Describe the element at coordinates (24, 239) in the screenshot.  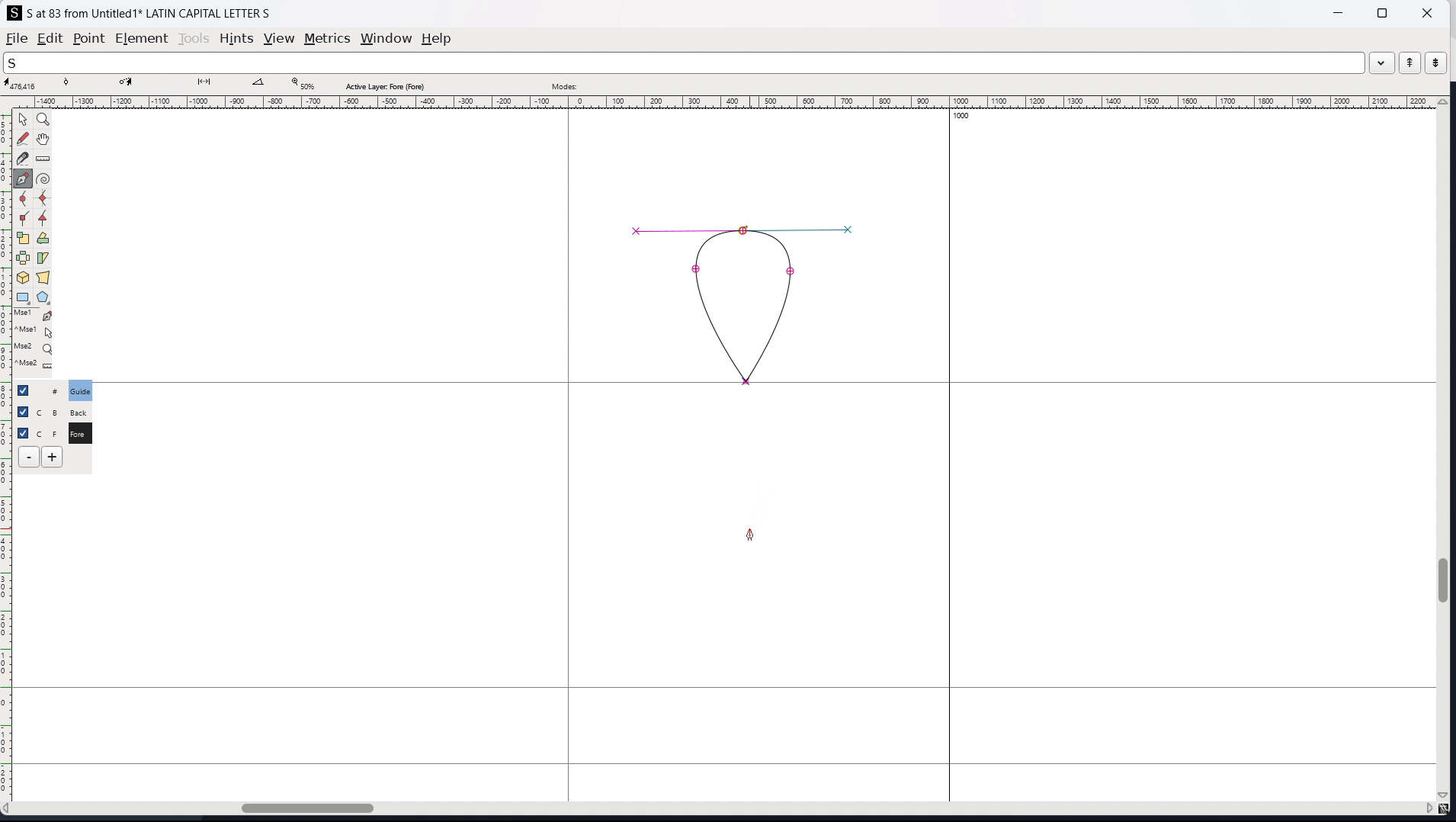
I see `scale the selection` at that location.